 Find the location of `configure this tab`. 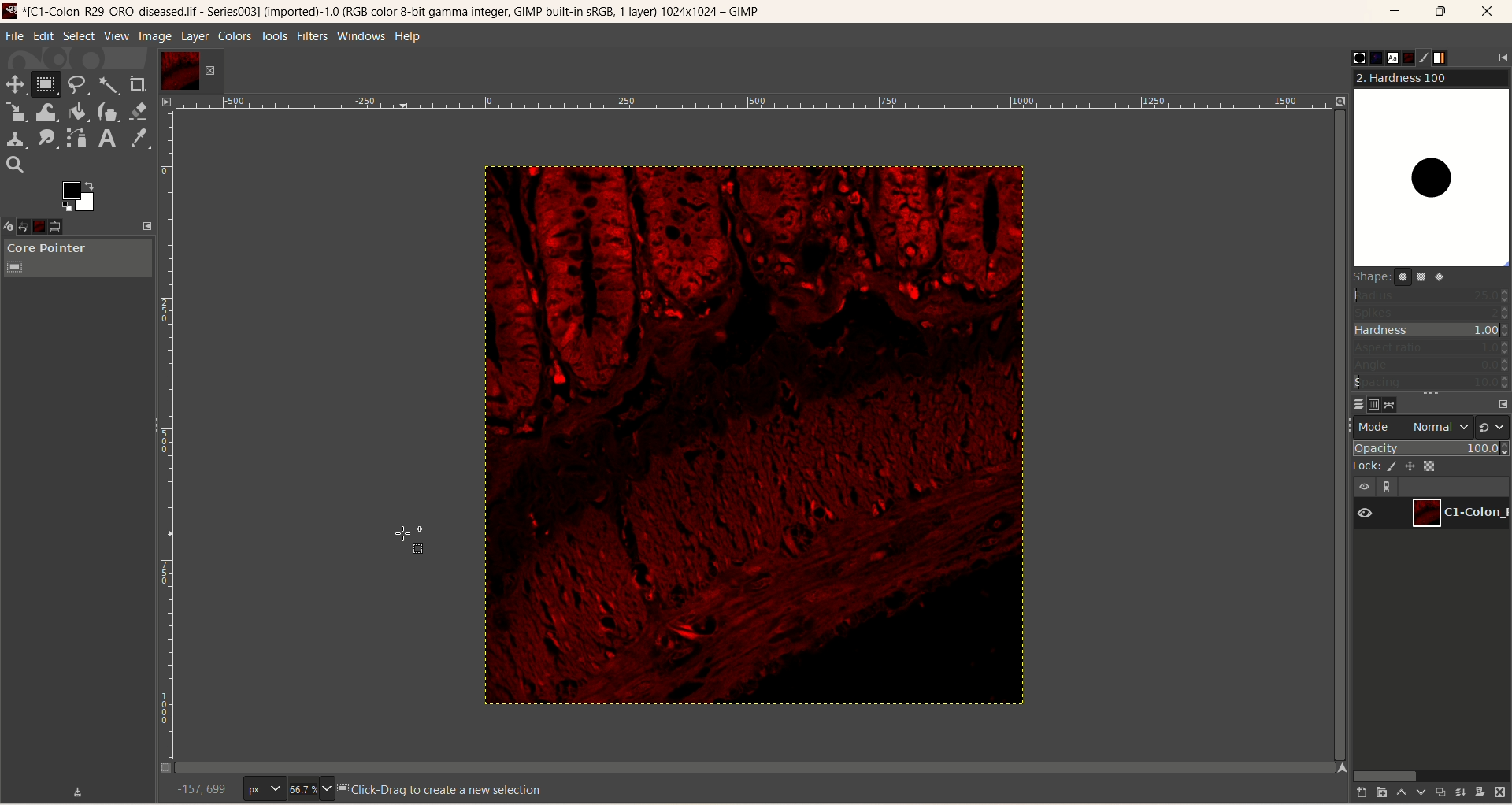

configure this tab is located at coordinates (1503, 57).